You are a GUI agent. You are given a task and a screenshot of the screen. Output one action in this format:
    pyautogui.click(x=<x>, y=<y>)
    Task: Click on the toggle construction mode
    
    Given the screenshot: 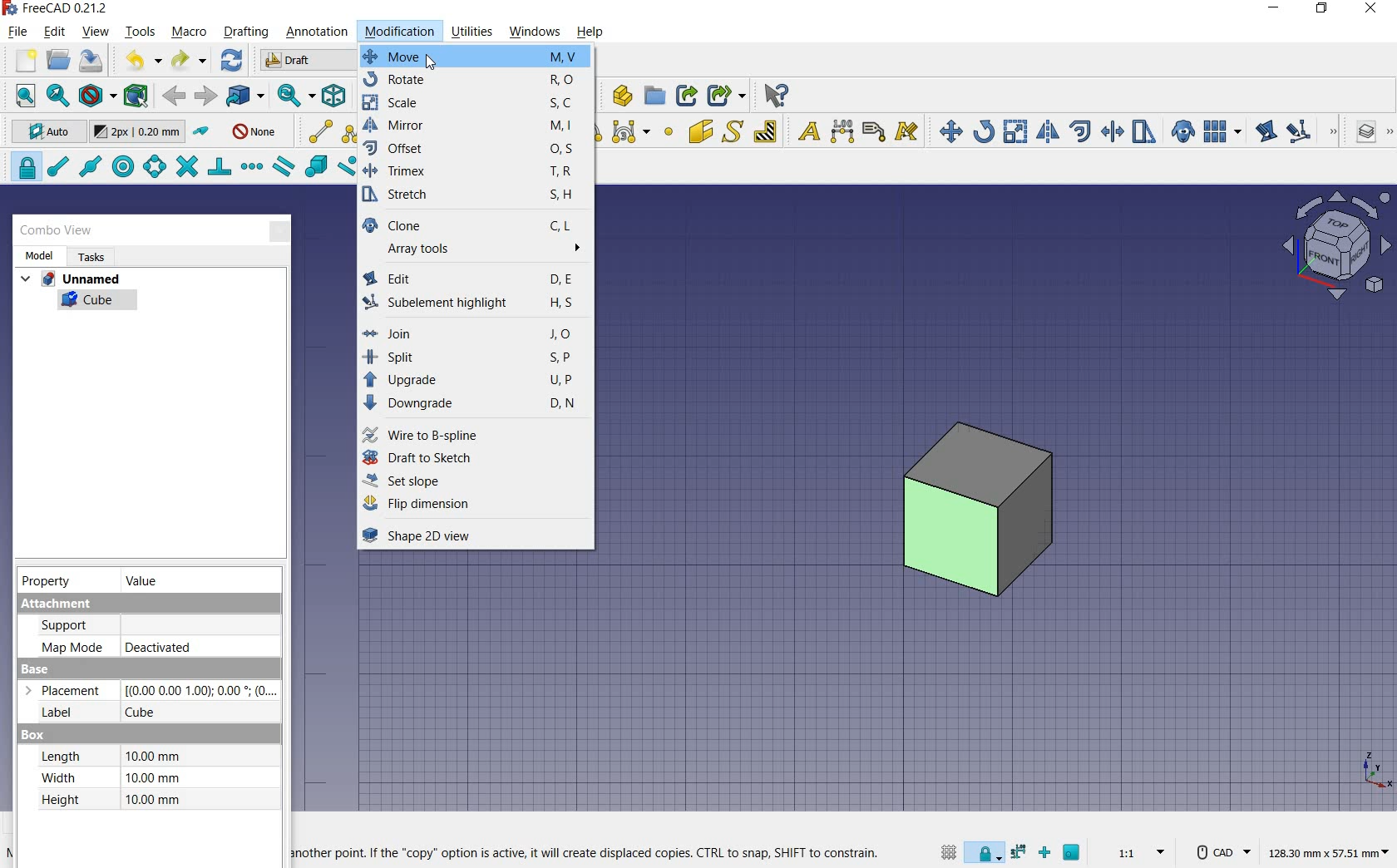 What is the action you would take?
    pyautogui.click(x=203, y=132)
    